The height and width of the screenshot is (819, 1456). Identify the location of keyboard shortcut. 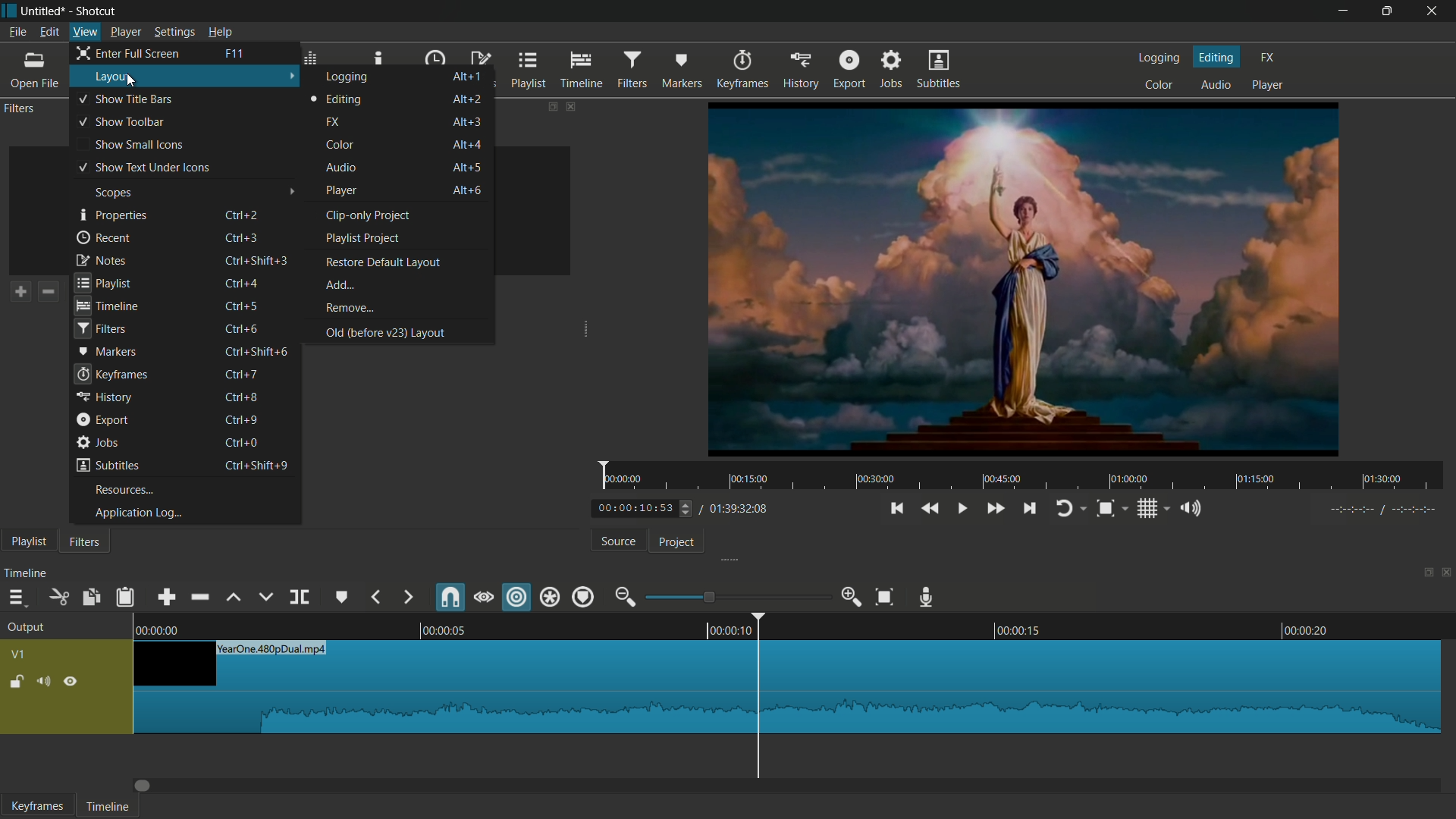
(242, 375).